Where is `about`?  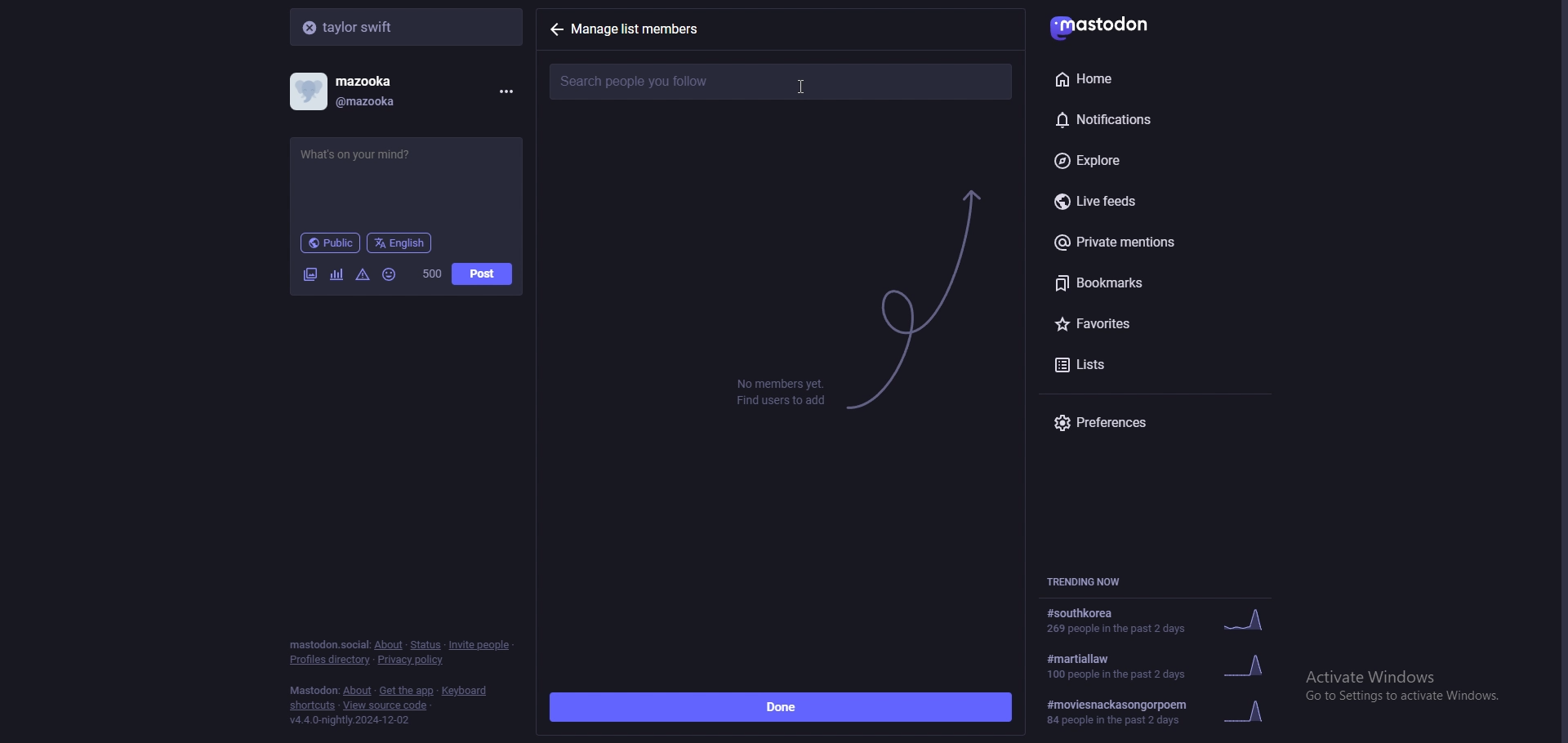 about is located at coordinates (359, 692).